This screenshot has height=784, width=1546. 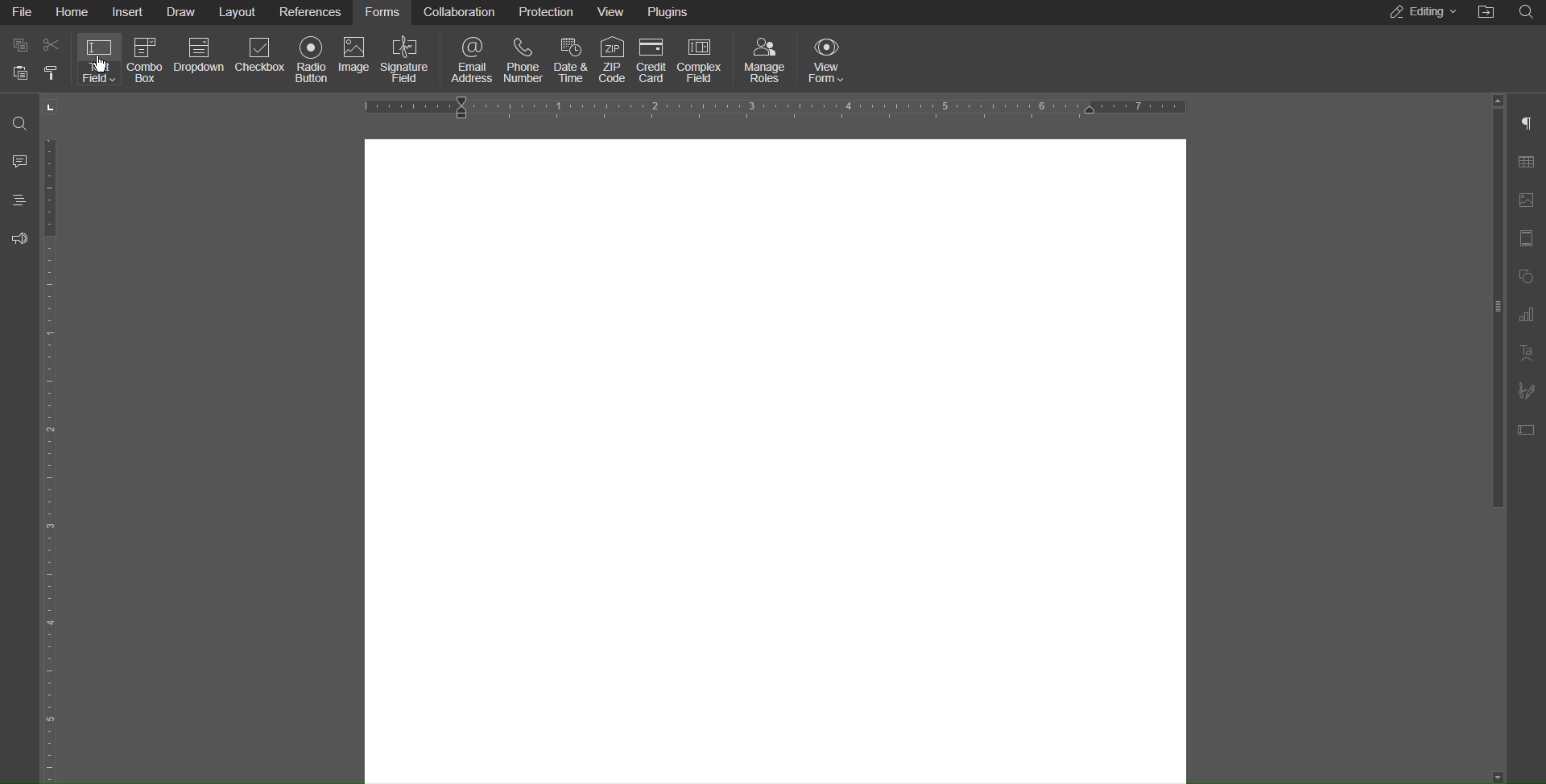 I want to click on Insert, so click(x=130, y=13).